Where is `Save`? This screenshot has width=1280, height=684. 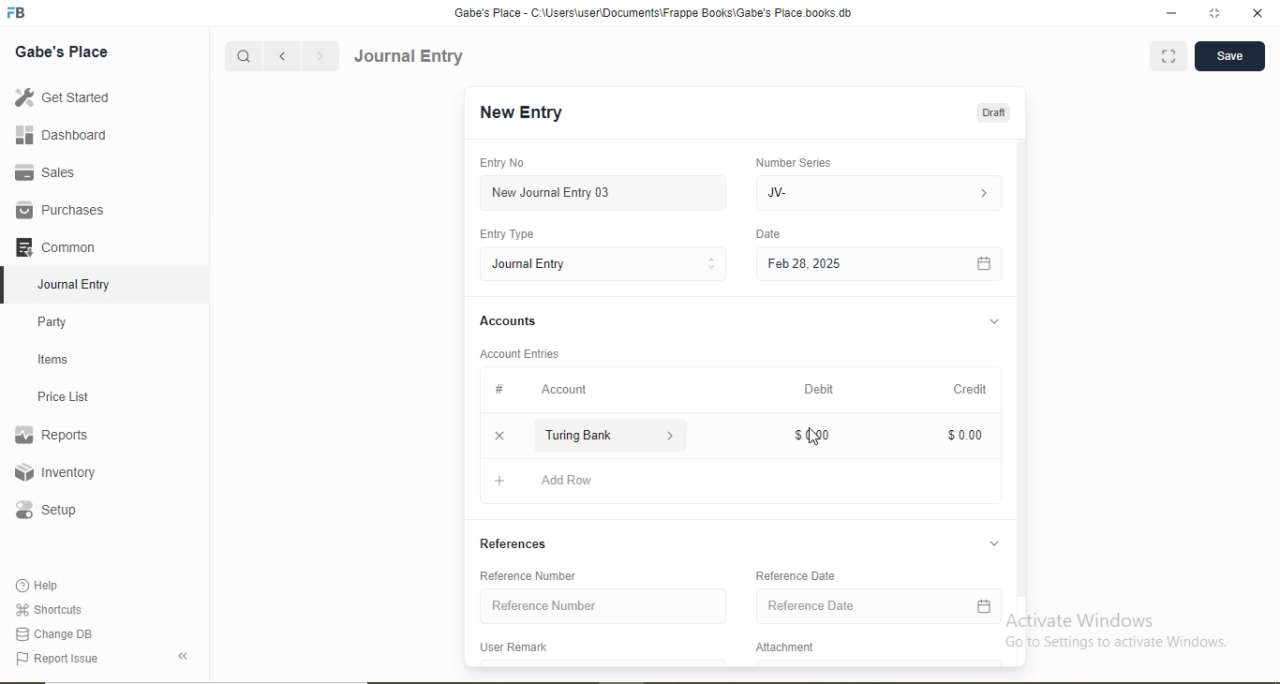 Save is located at coordinates (1229, 54).